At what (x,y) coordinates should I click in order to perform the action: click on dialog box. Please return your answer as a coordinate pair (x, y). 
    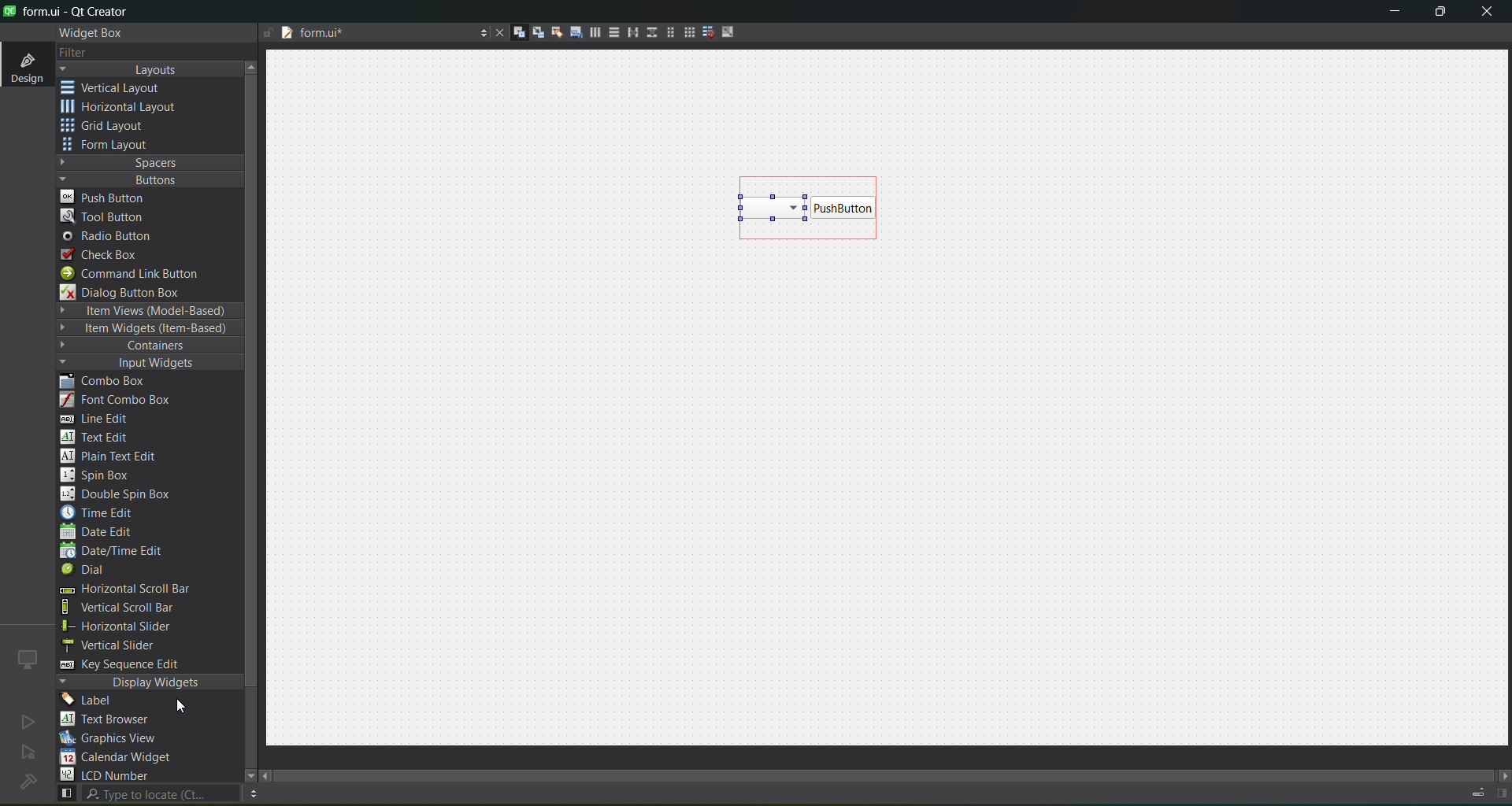
    Looking at the image, I should click on (132, 292).